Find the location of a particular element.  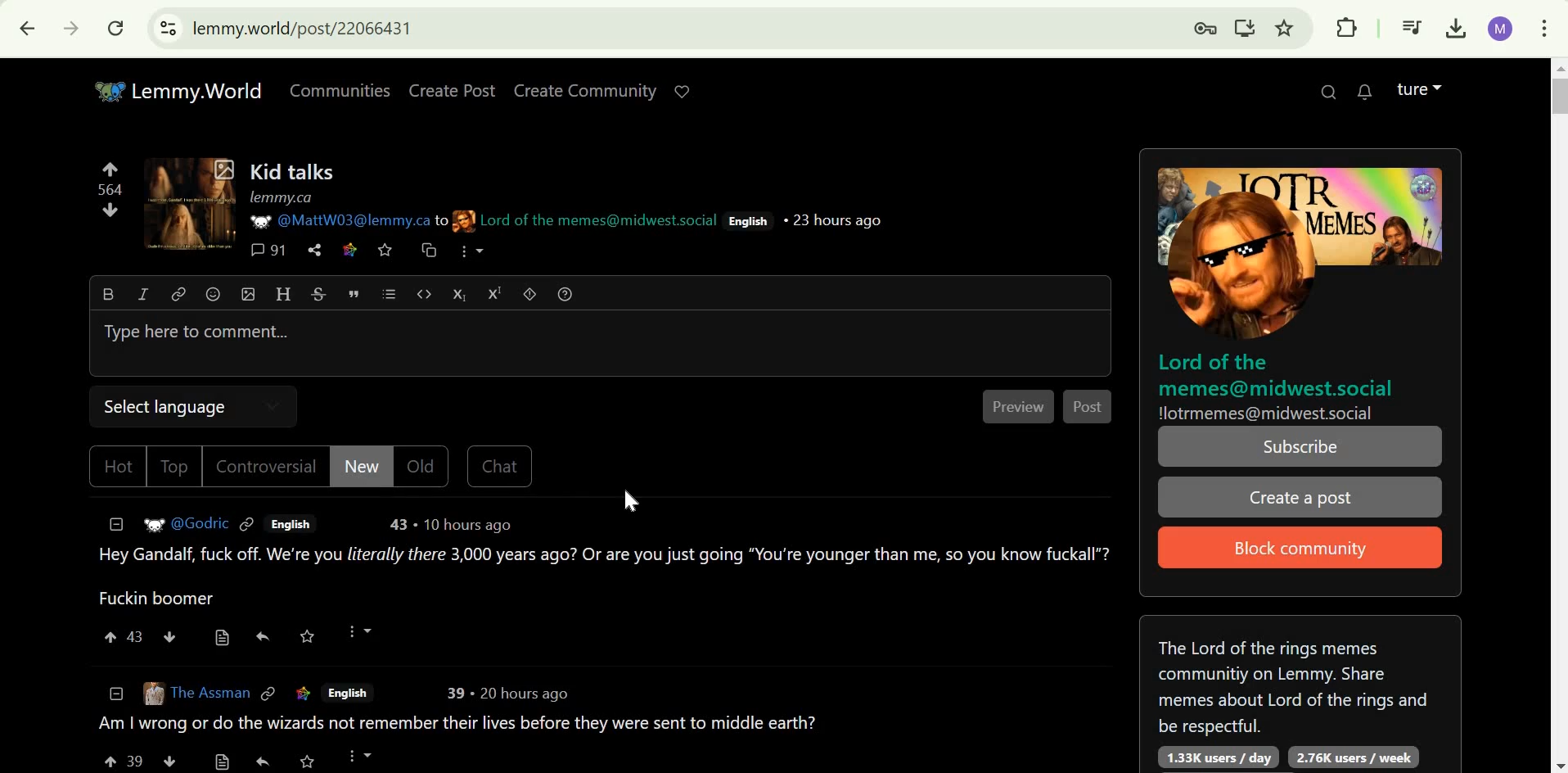

Post is located at coordinates (1088, 408).